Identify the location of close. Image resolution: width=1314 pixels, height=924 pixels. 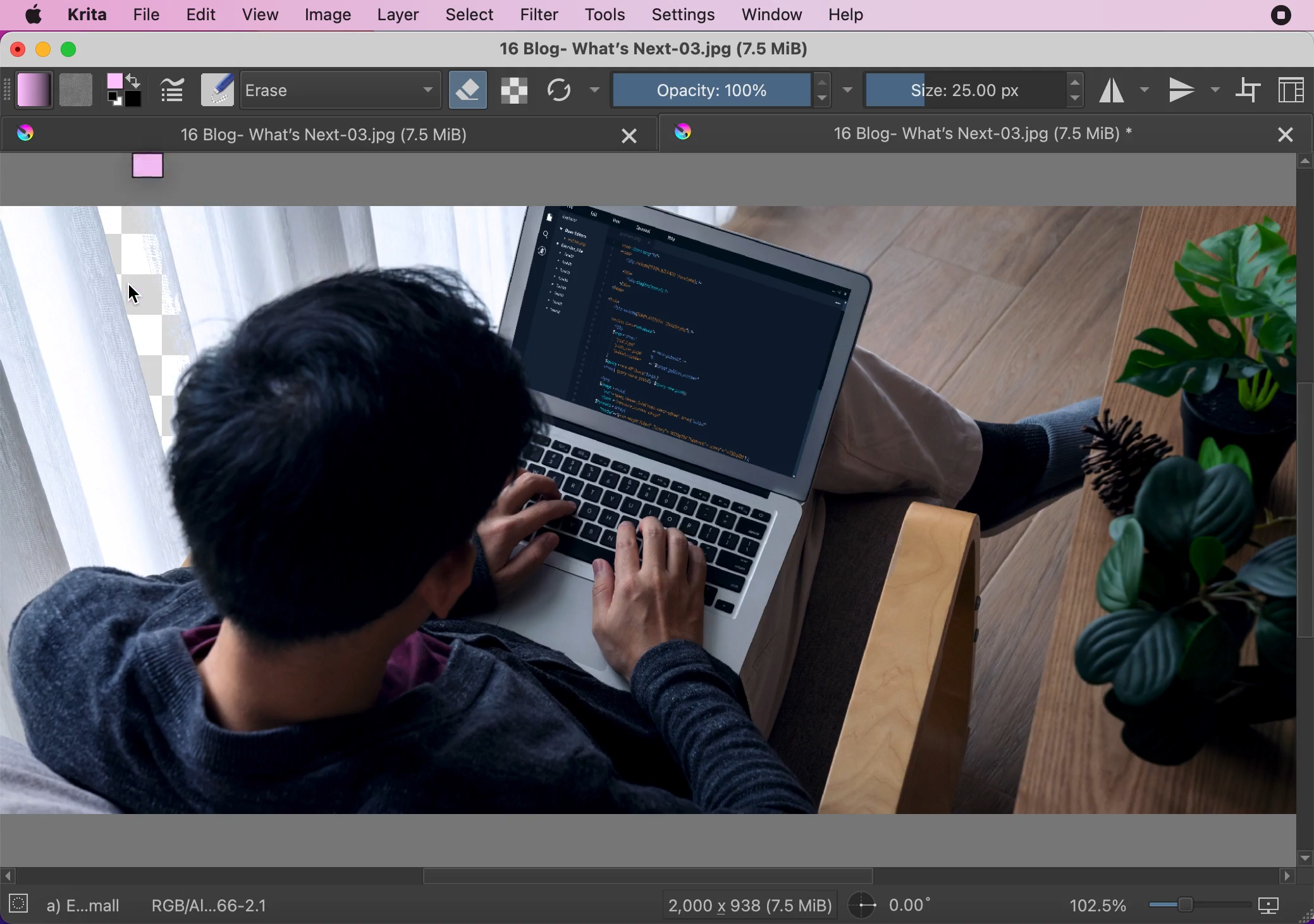
(16, 49).